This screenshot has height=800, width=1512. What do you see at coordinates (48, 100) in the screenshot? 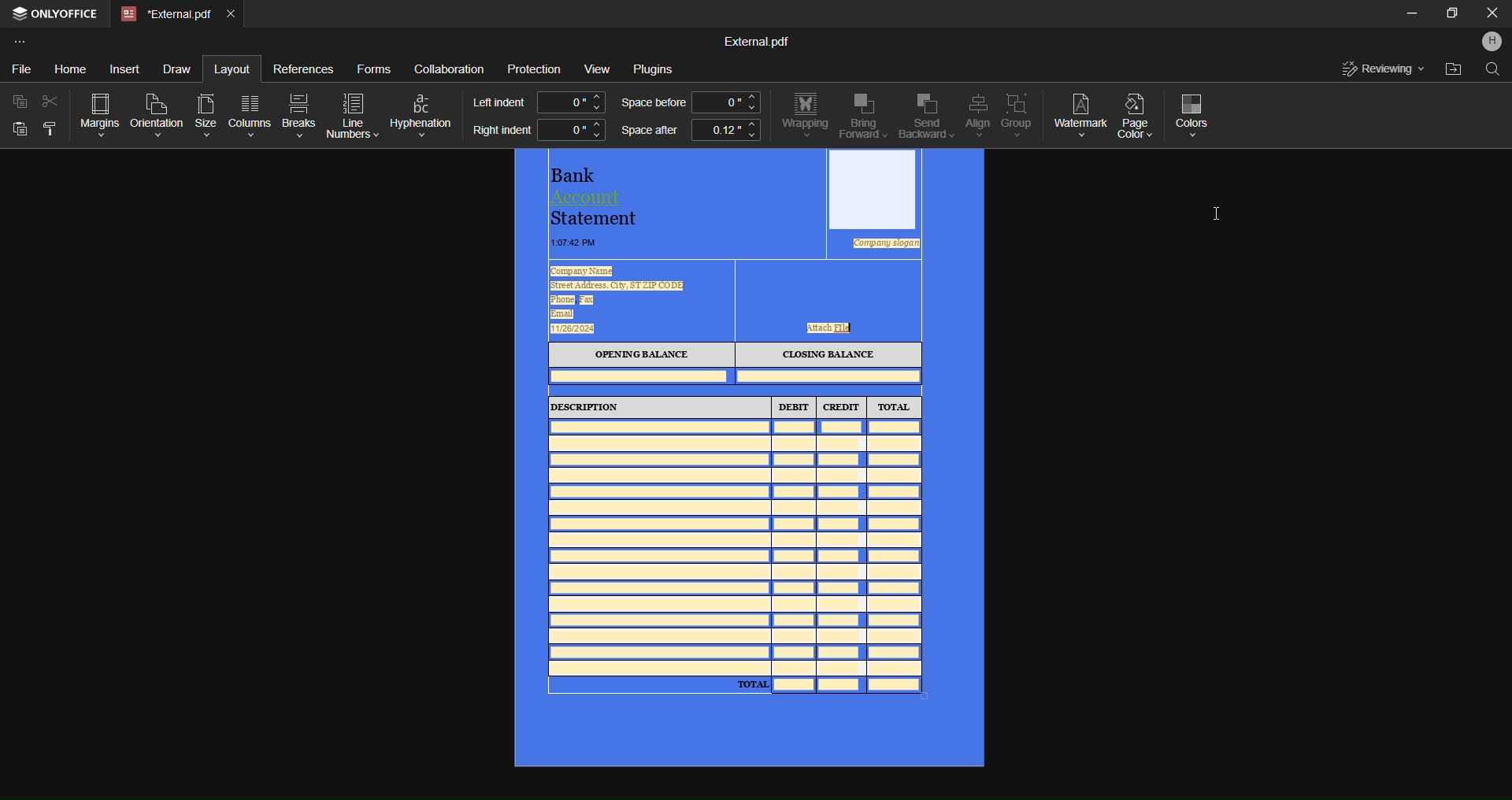
I see `Cut` at bounding box center [48, 100].